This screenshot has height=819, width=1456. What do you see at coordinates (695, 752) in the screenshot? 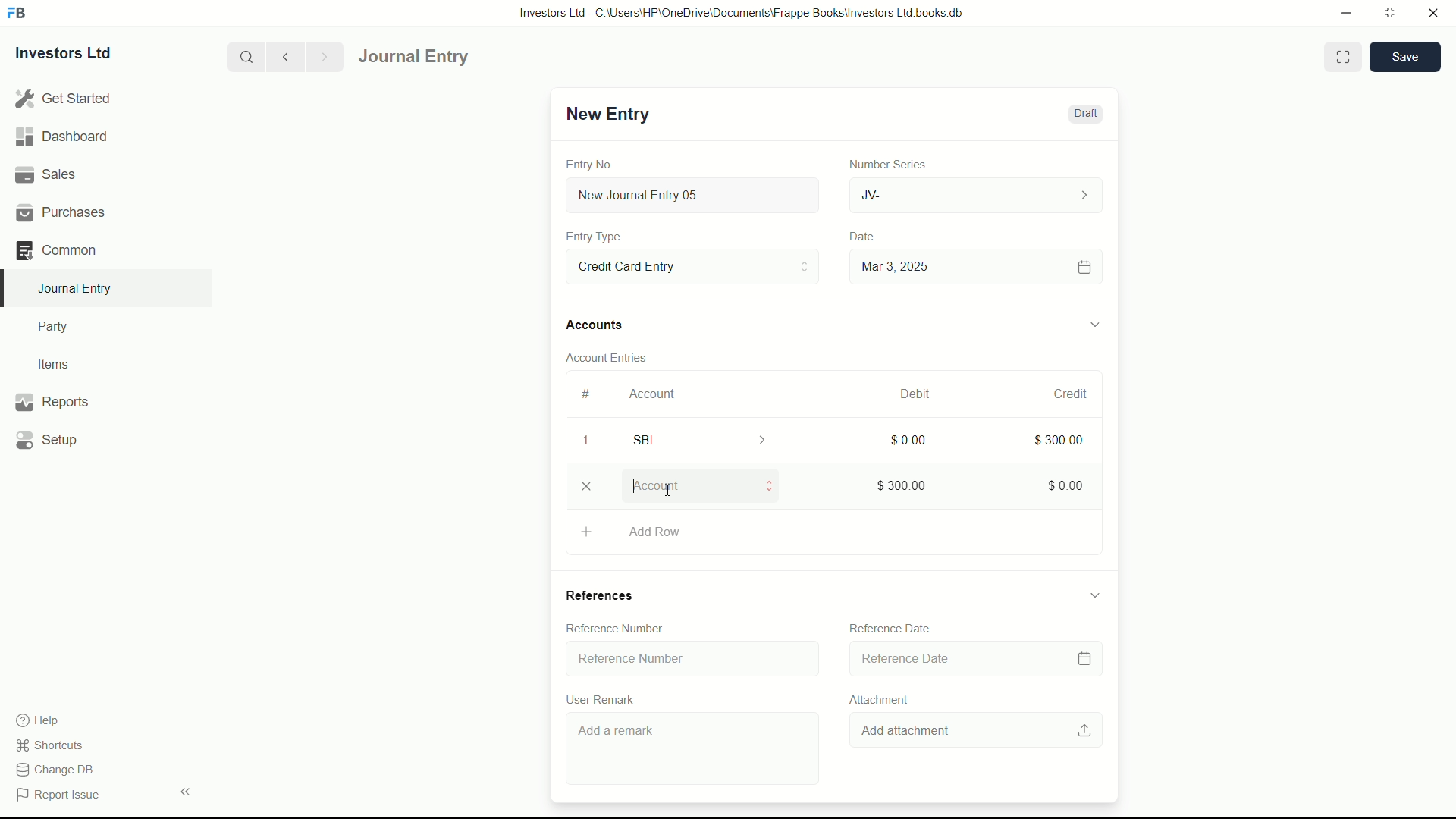
I see `Add a remark` at bounding box center [695, 752].